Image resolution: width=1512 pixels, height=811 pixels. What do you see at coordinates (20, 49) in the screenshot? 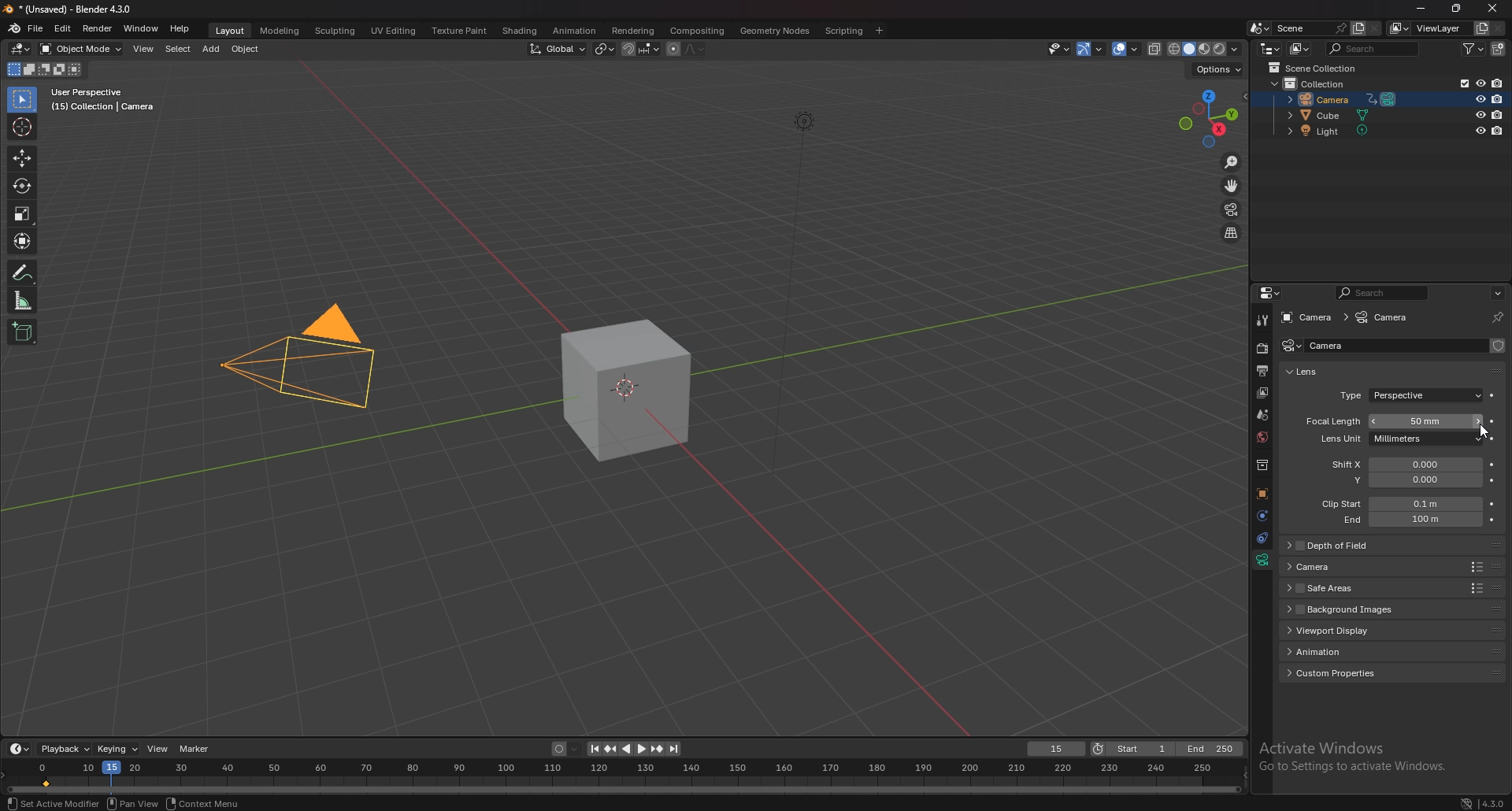
I see `editor type` at bounding box center [20, 49].